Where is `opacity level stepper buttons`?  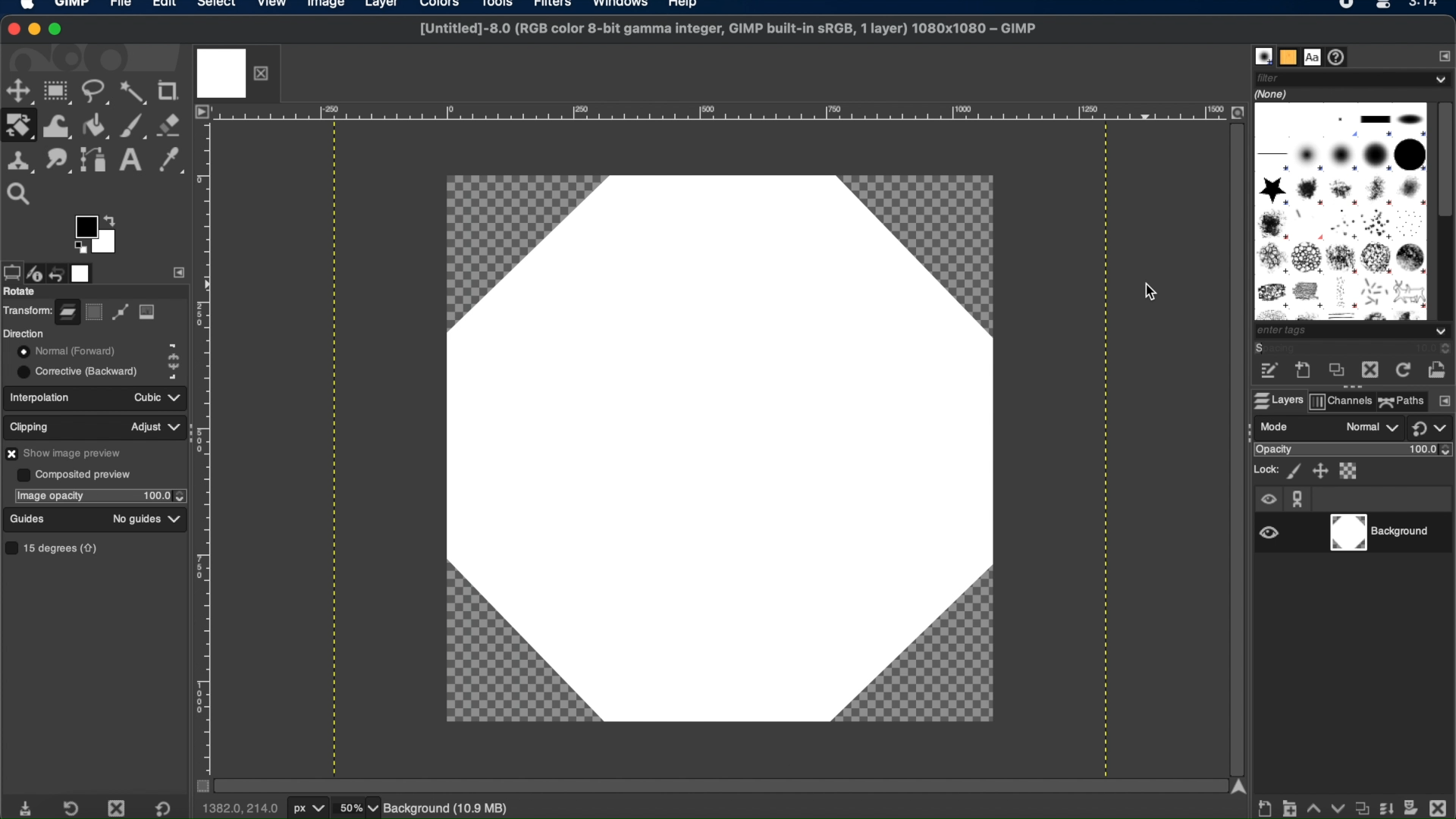 opacity level stepper buttons is located at coordinates (1432, 450).